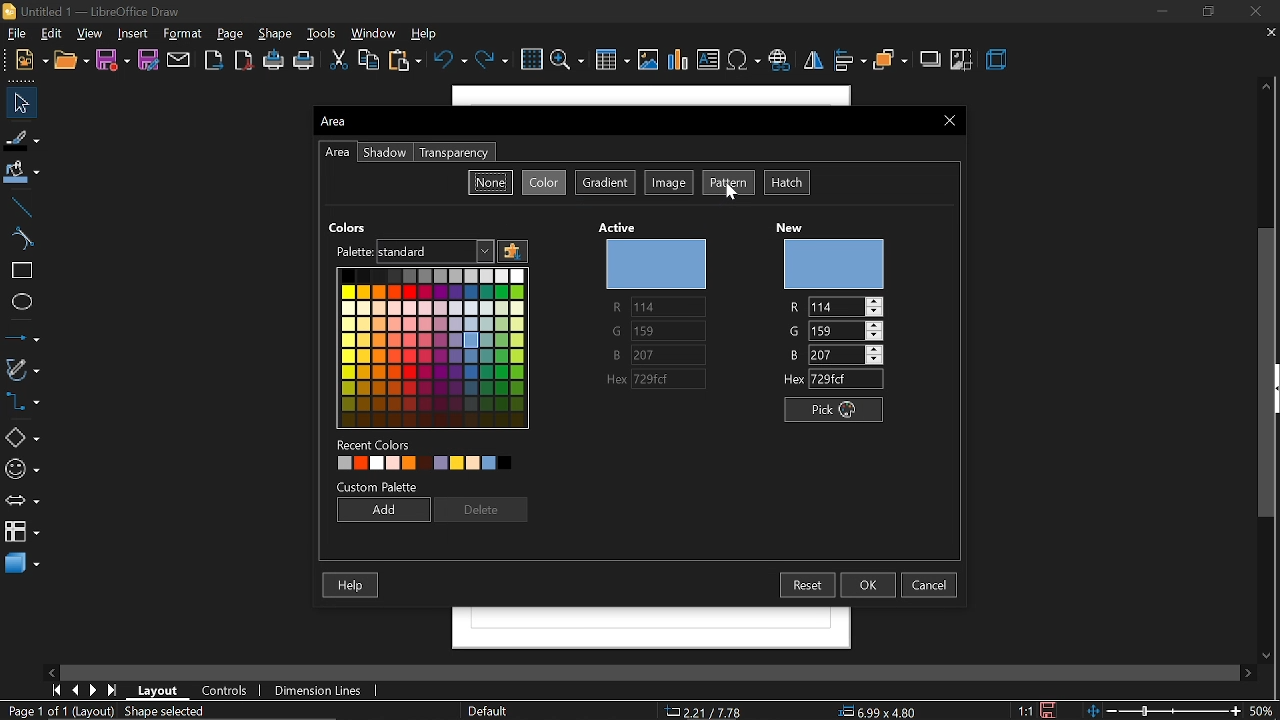  Describe the element at coordinates (890, 61) in the screenshot. I see `arrange` at that location.